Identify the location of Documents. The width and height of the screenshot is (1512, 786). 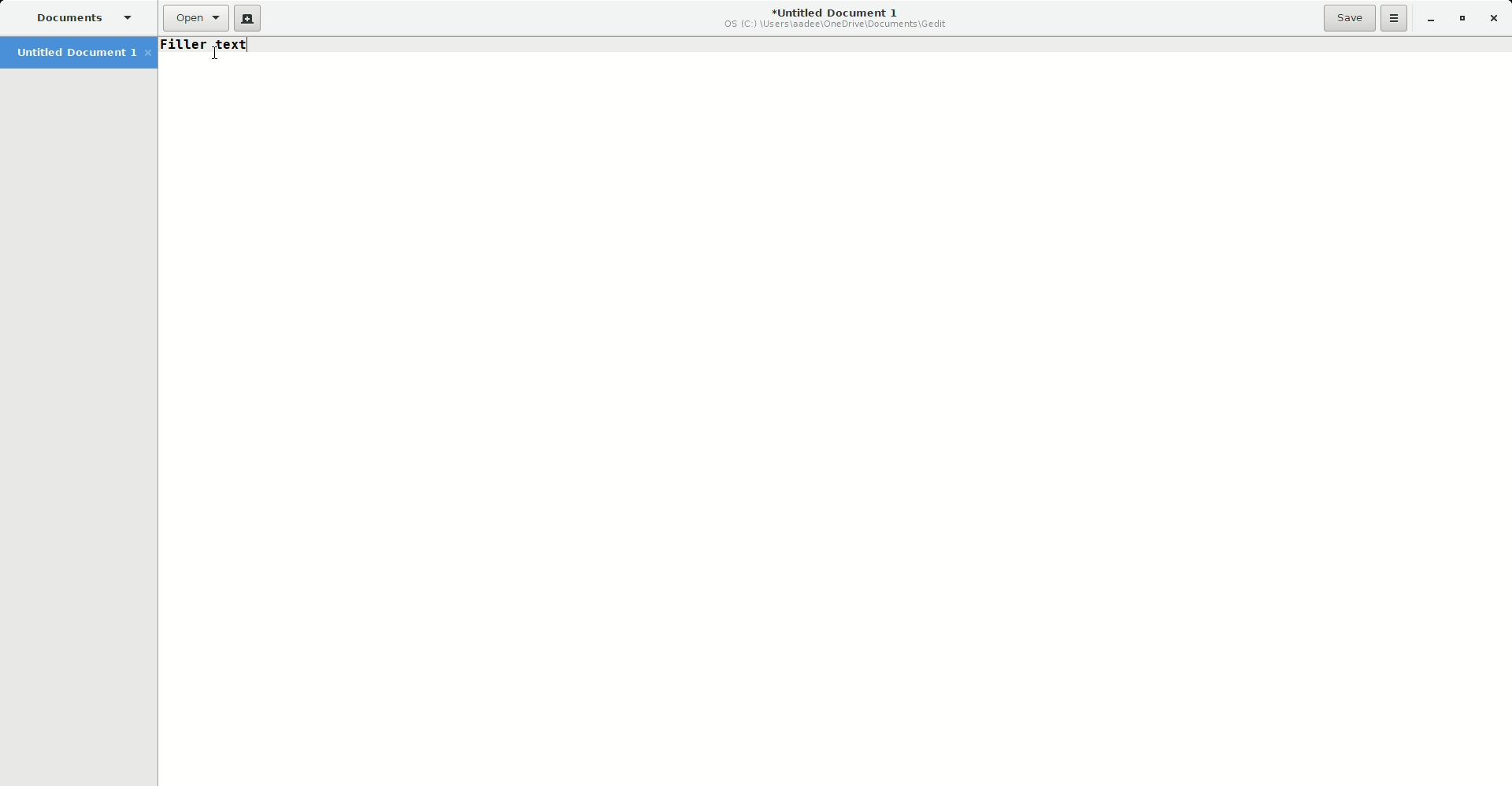
(81, 19).